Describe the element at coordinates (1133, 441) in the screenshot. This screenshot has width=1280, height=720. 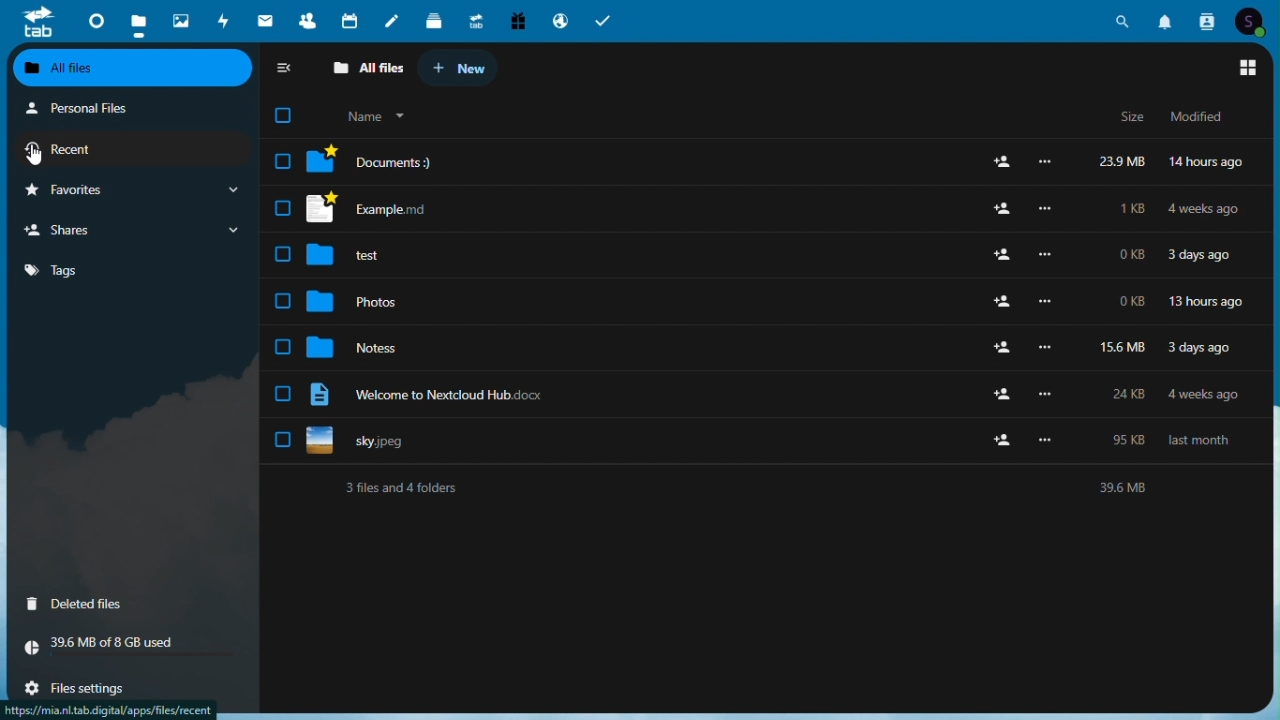
I see `95 KB` at that location.